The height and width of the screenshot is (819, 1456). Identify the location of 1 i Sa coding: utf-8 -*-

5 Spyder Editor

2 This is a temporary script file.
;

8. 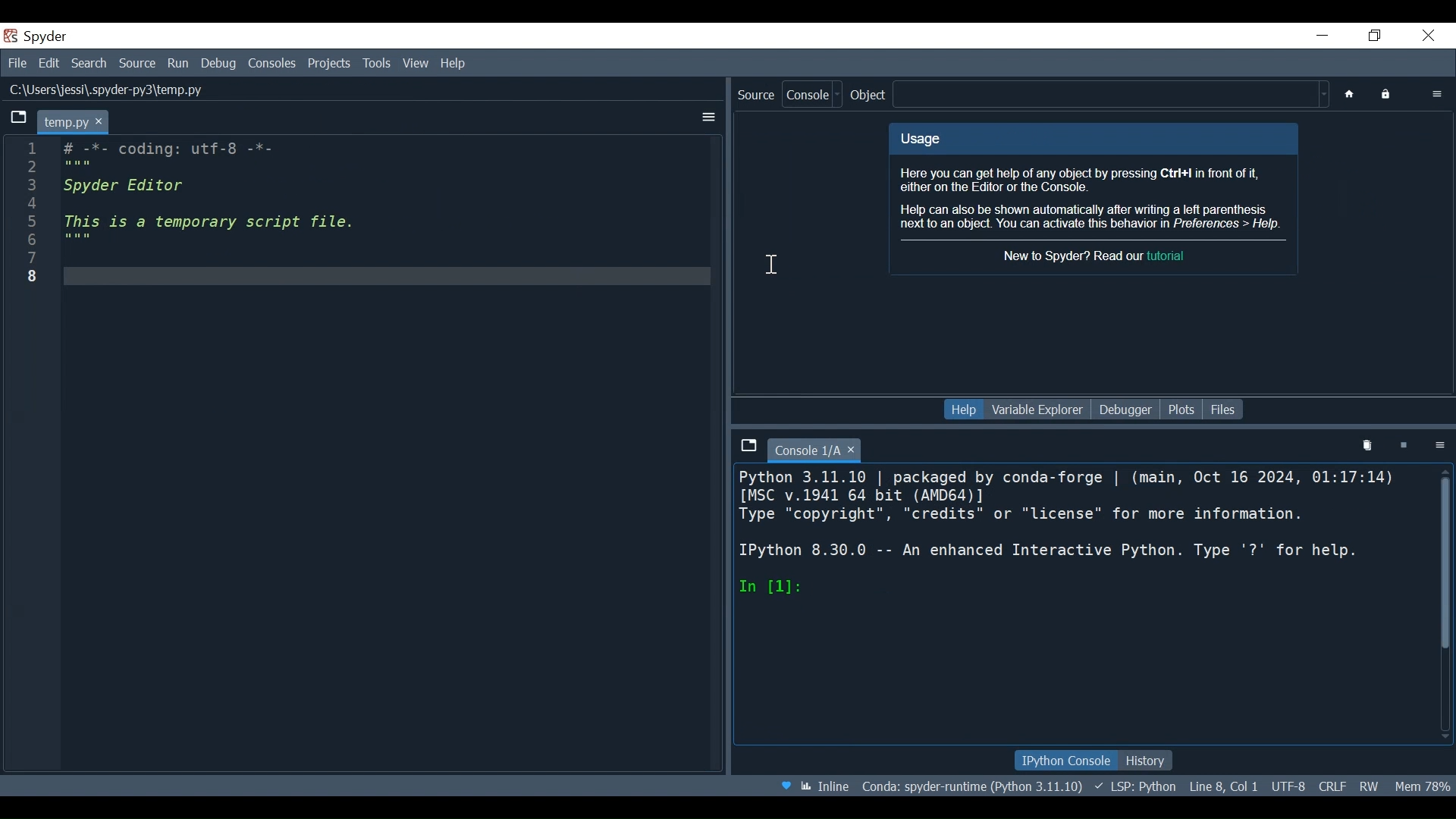
(215, 218).